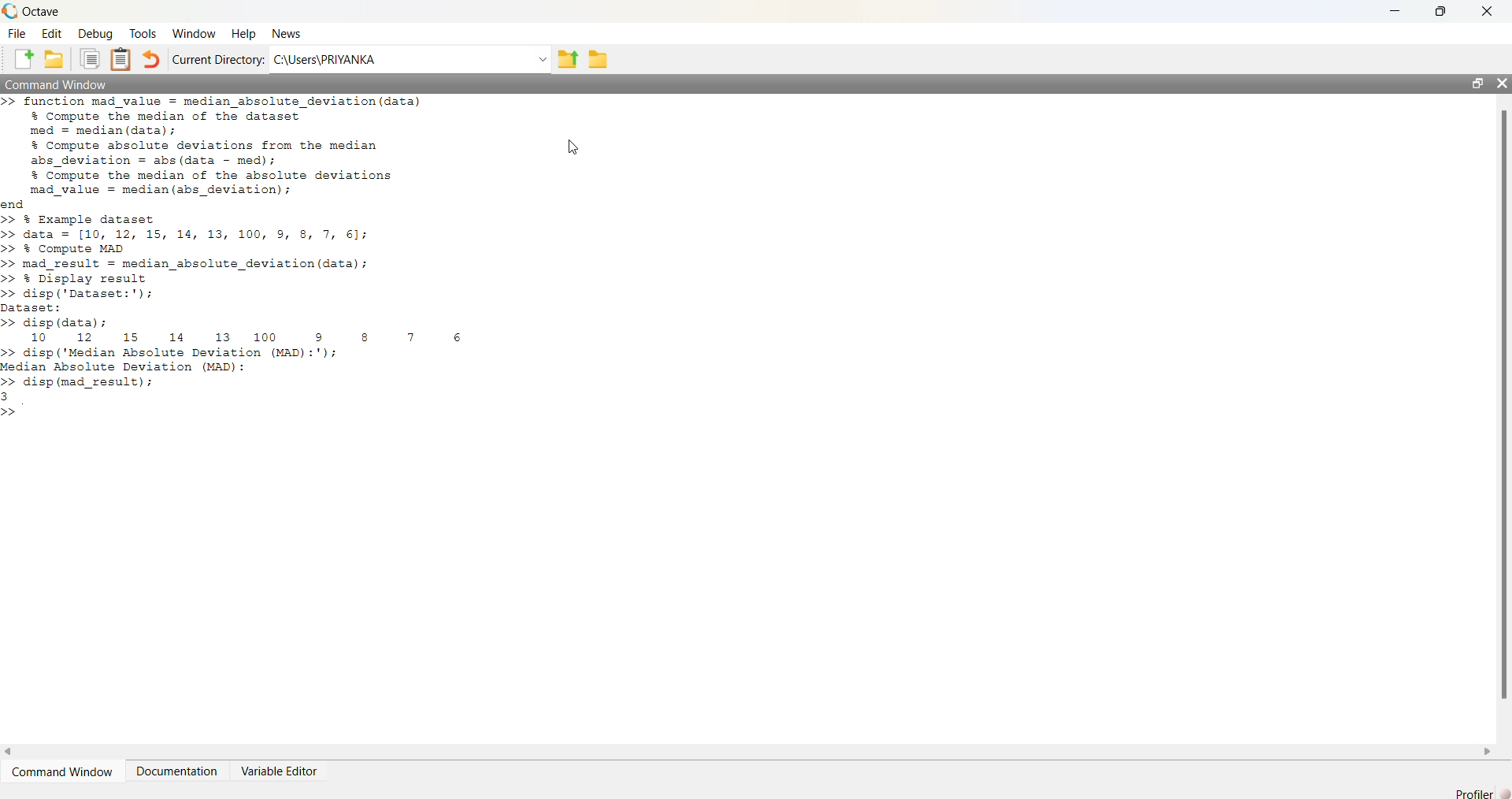 This screenshot has width=1512, height=799. Describe the element at coordinates (54, 59) in the screenshot. I see `Open an existing file in editor` at that location.